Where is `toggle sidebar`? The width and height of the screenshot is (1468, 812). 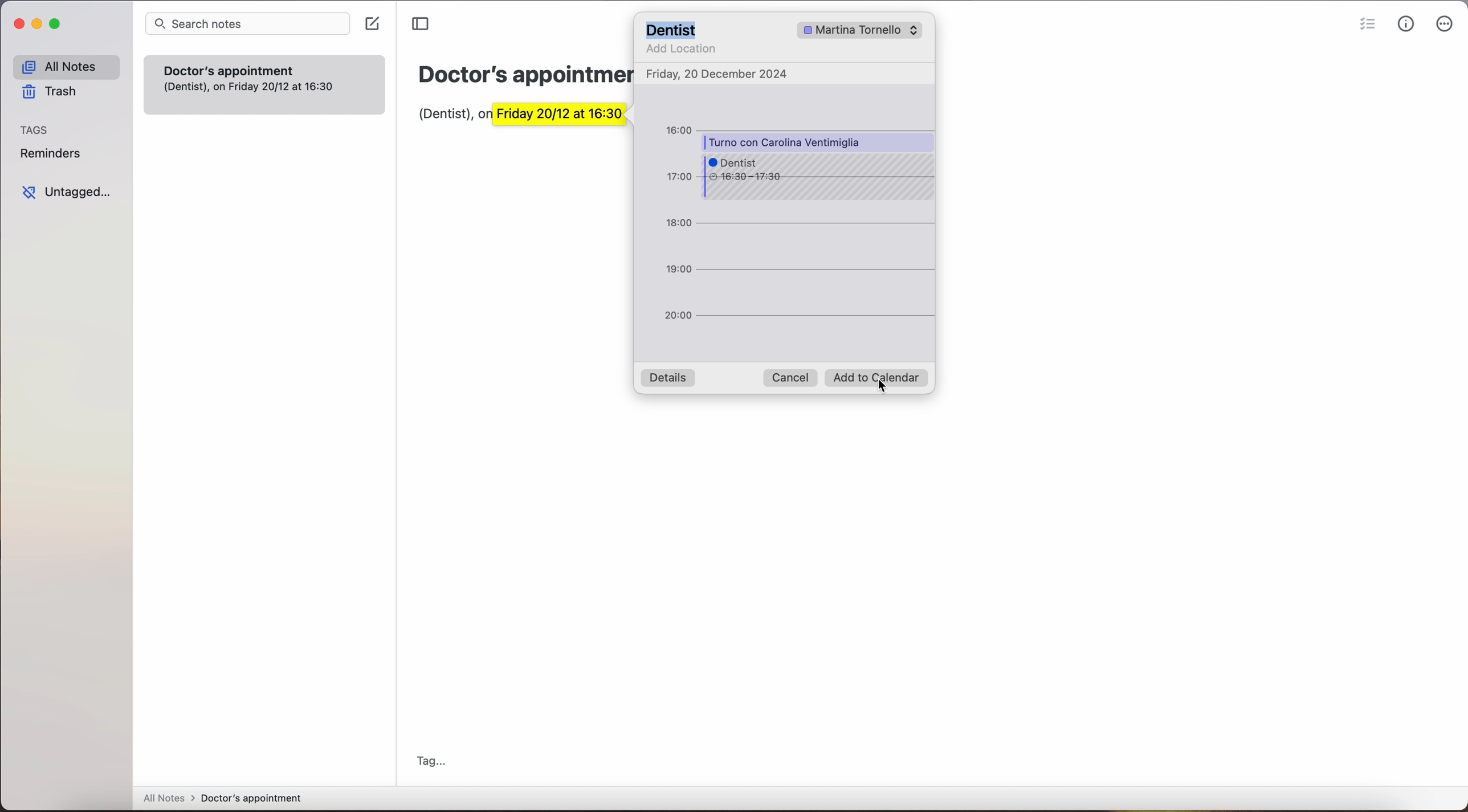
toggle sidebar is located at coordinates (420, 24).